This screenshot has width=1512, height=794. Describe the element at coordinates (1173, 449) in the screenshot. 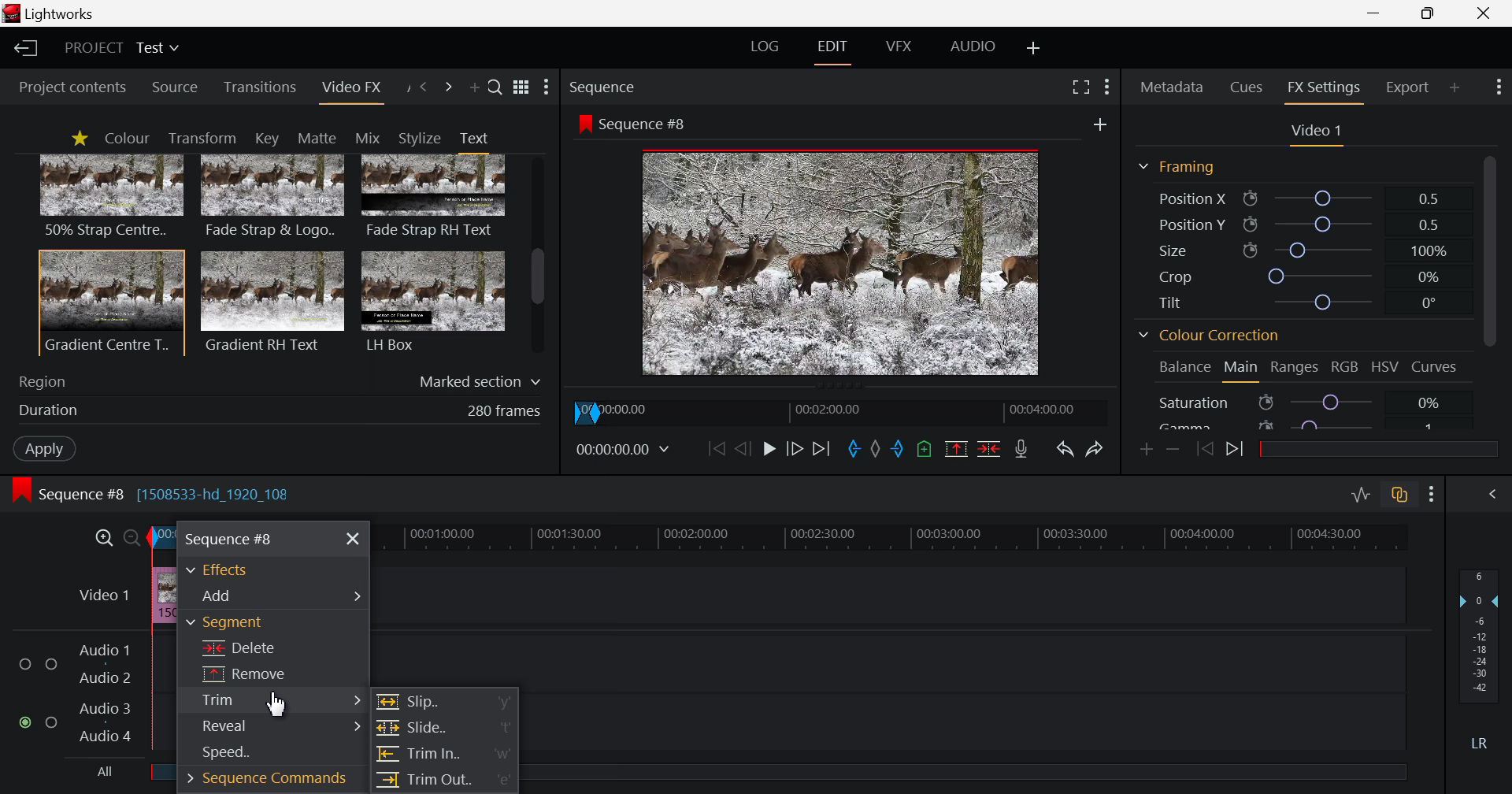

I see `remove keyframe` at that location.